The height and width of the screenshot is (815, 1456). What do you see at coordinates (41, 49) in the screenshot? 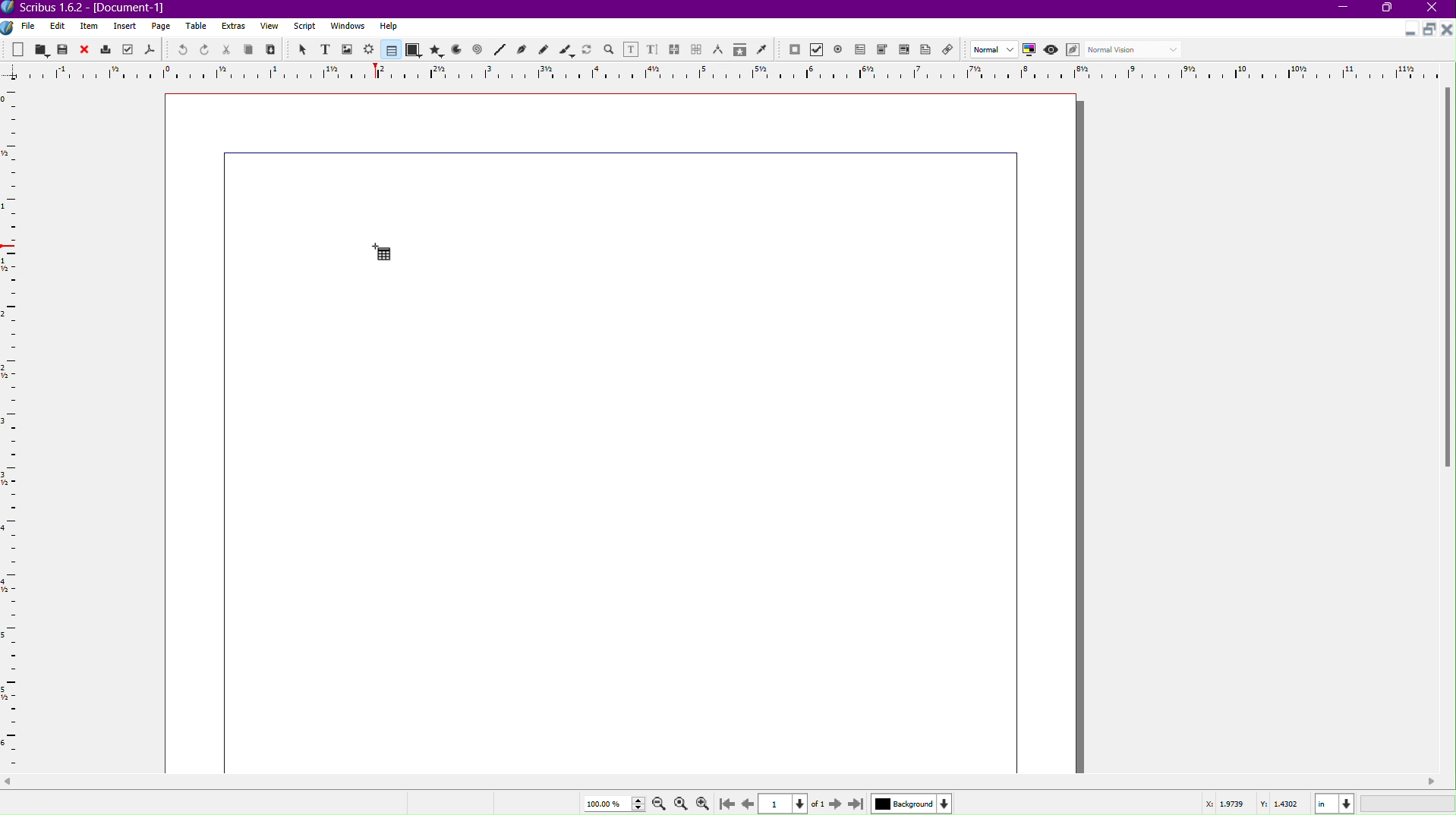
I see `Open` at bounding box center [41, 49].